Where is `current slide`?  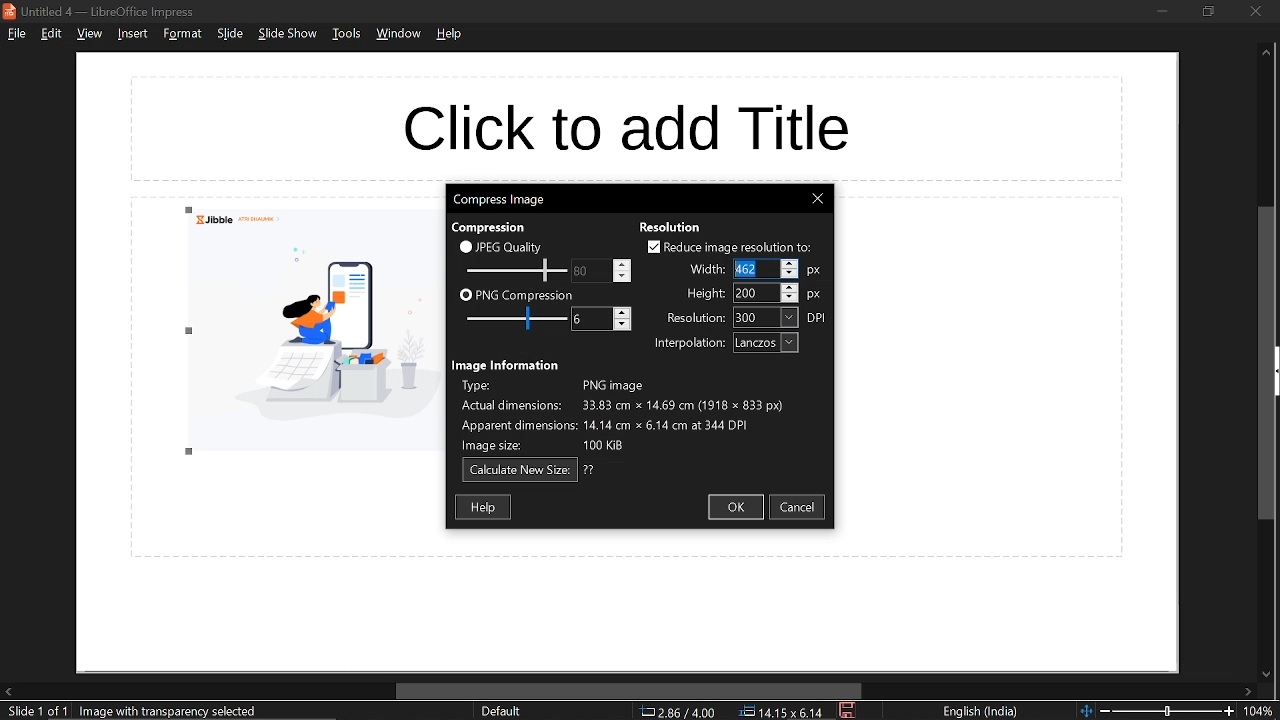 current slide is located at coordinates (34, 712).